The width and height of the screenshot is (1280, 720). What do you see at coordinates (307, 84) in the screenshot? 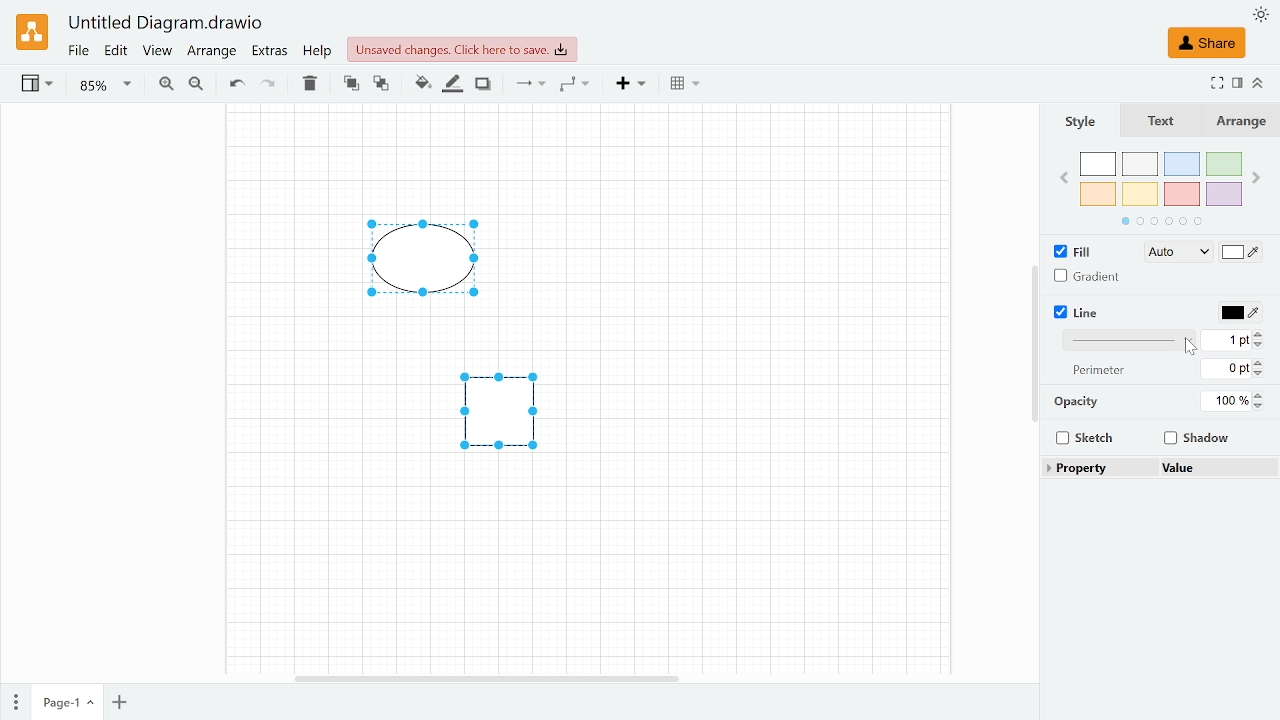
I see `Delete` at bounding box center [307, 84].